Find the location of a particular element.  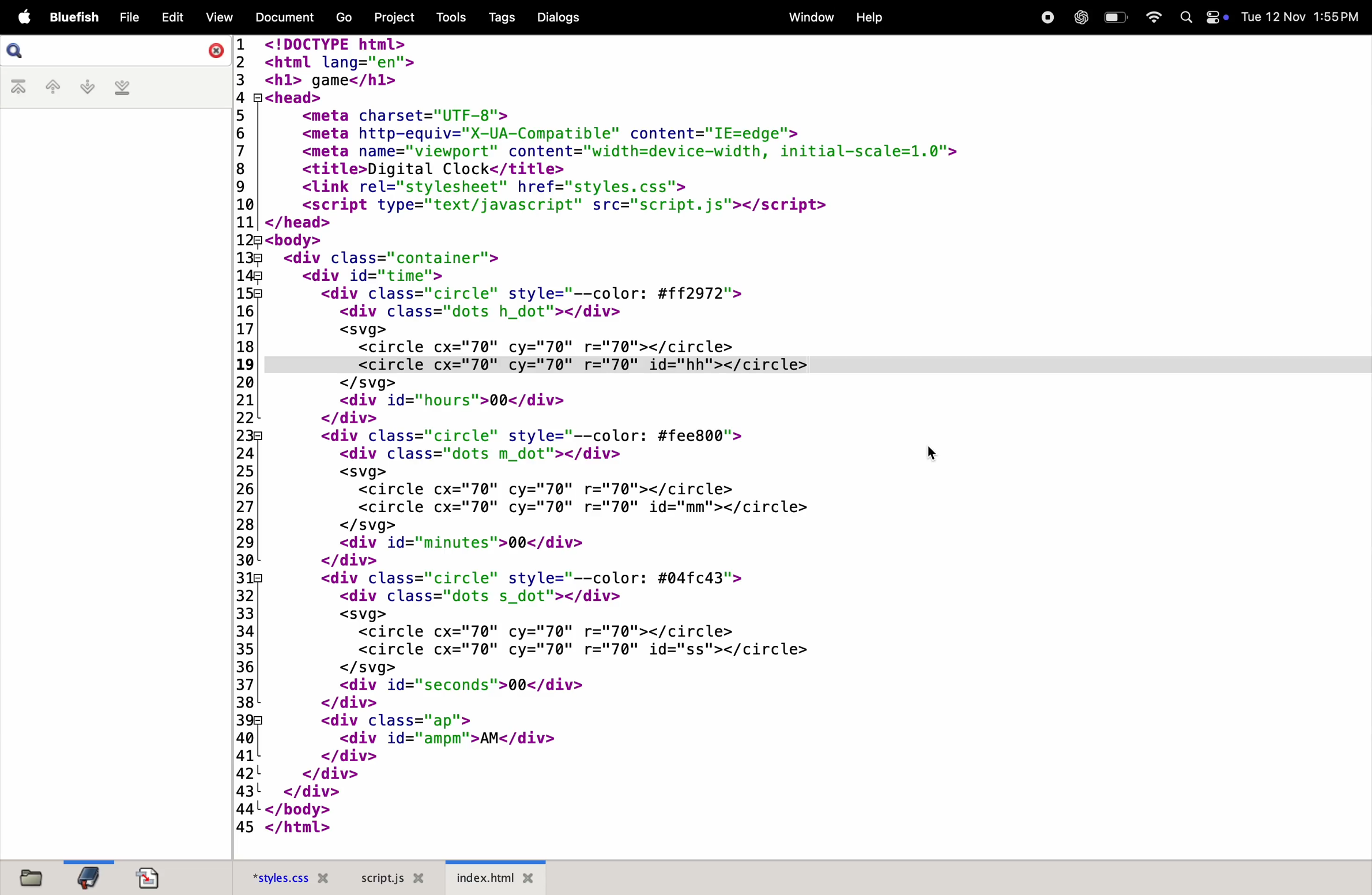

go is located at coordinates (342, 17).